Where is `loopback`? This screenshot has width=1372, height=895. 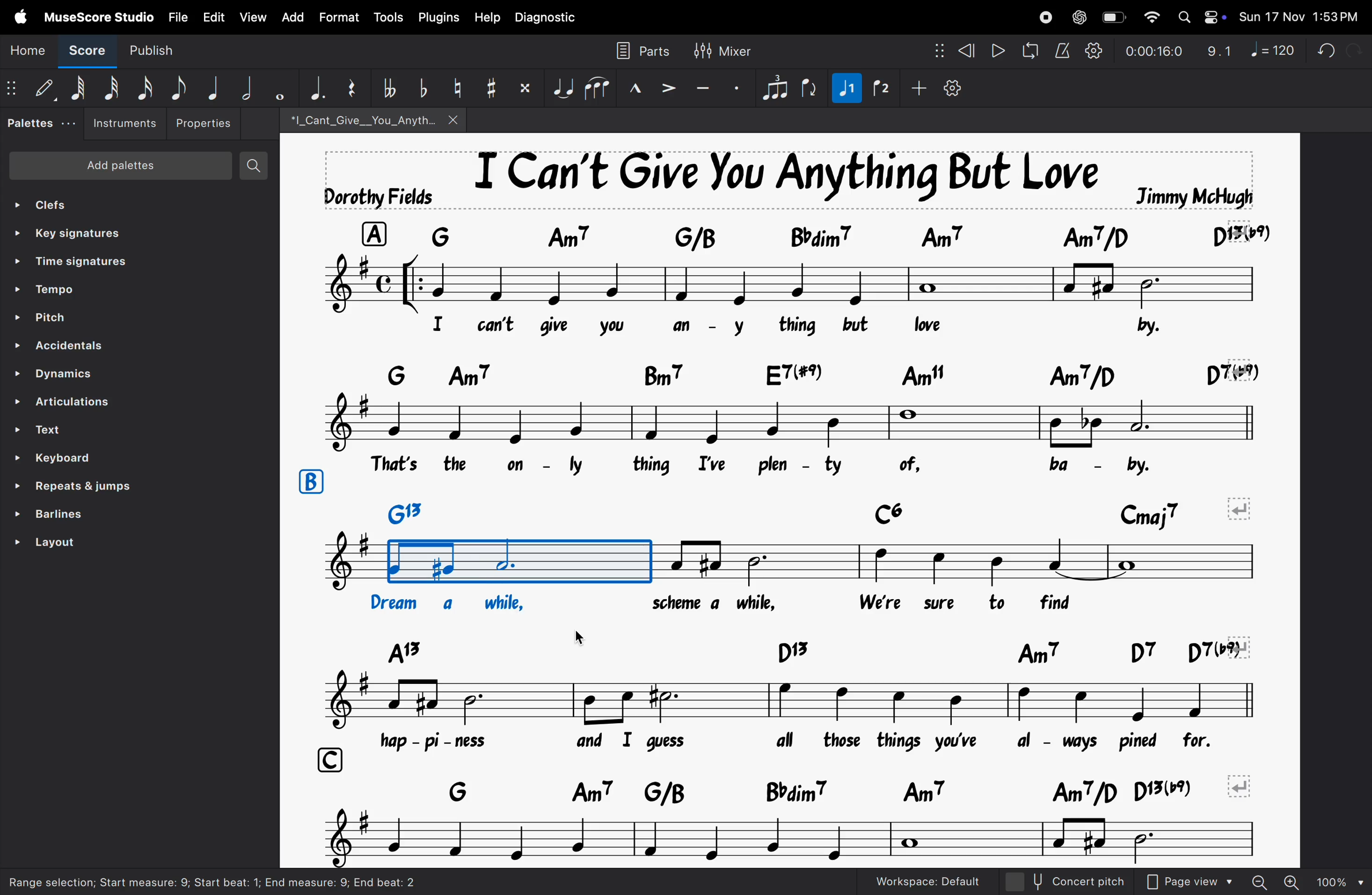
loopback is located at coordinates (1030, 50).